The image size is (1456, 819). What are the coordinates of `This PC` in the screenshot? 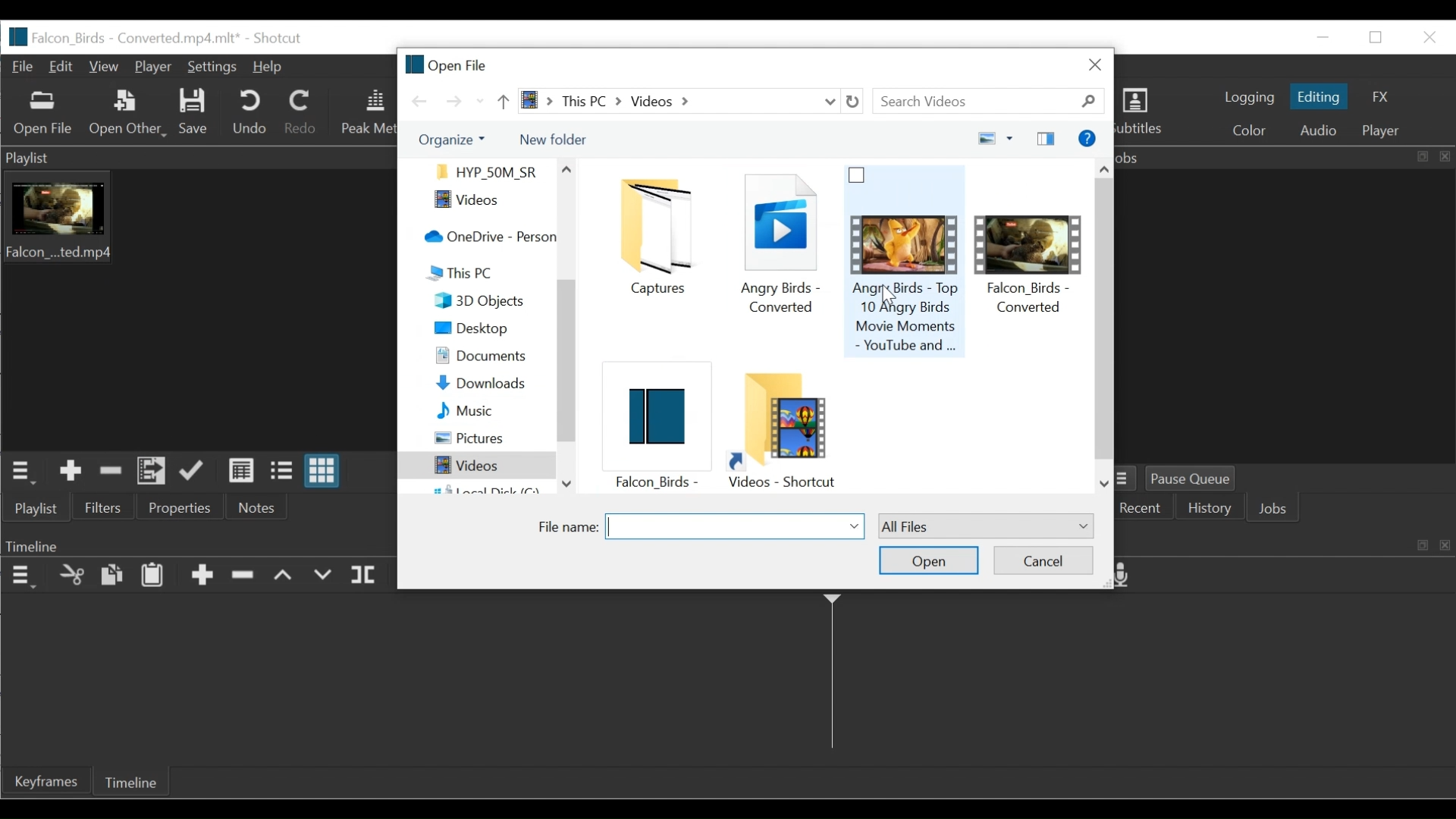 It's located at (491, 271).